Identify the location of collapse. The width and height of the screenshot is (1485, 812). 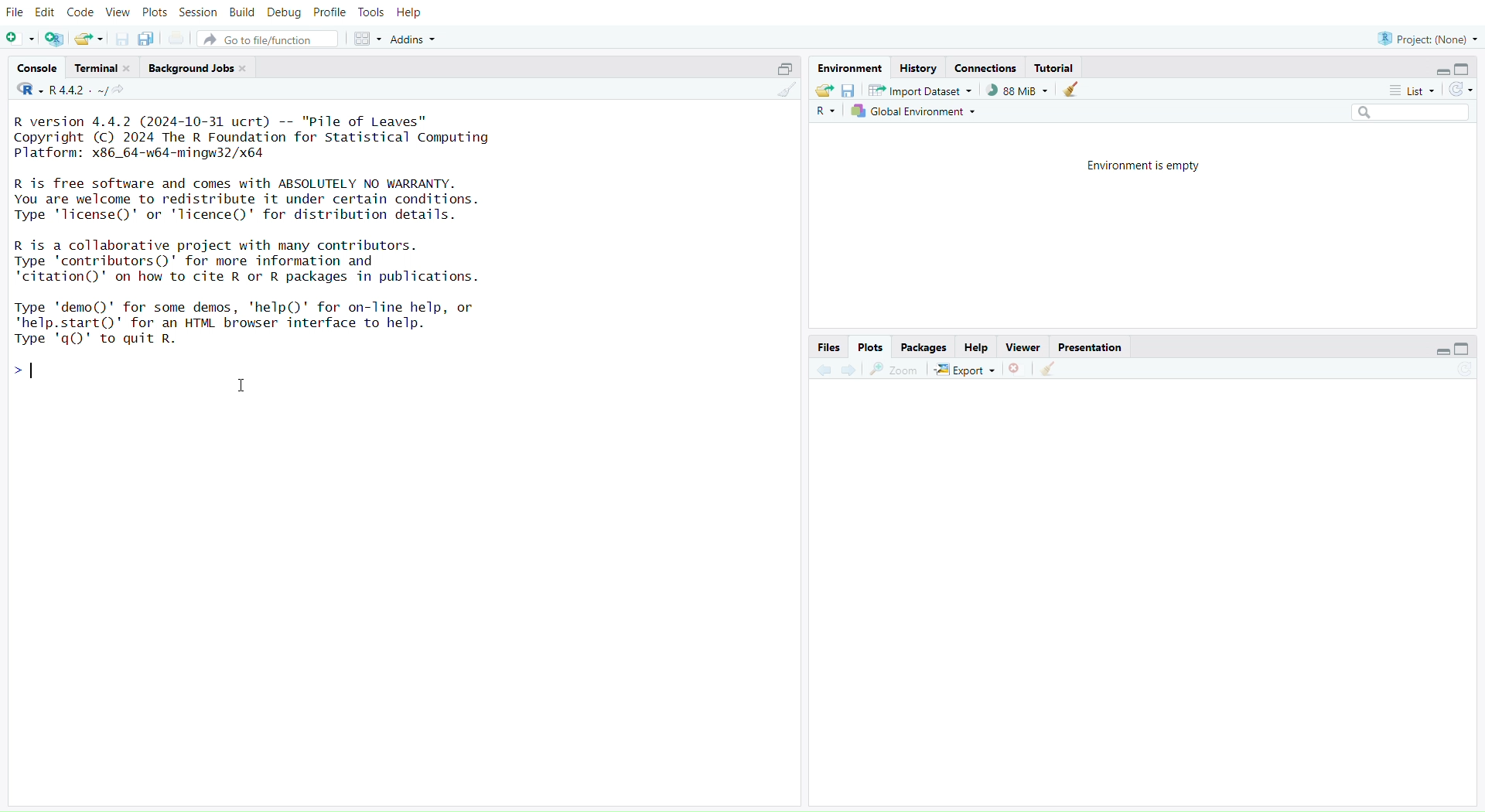
(1467, 68).